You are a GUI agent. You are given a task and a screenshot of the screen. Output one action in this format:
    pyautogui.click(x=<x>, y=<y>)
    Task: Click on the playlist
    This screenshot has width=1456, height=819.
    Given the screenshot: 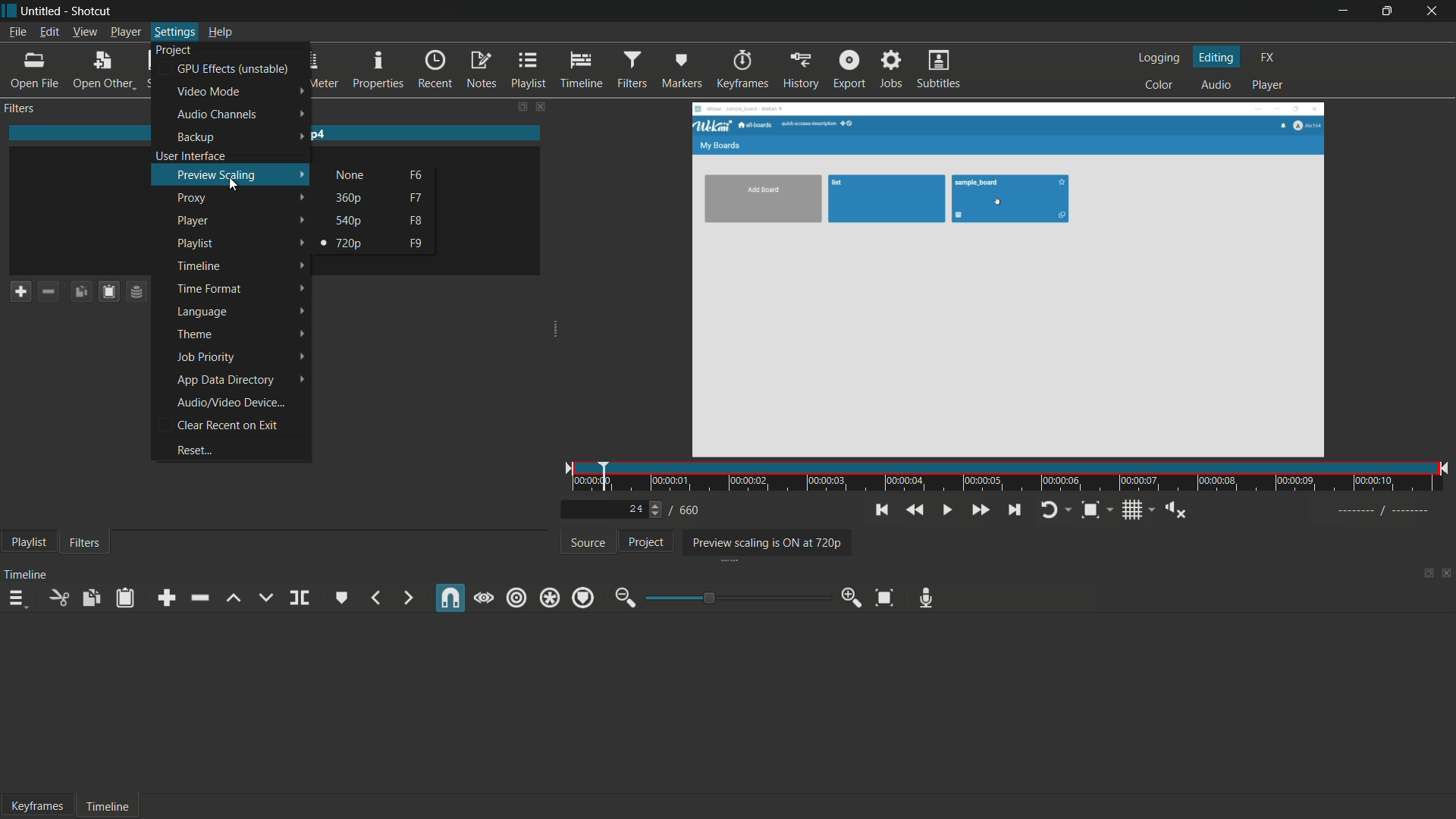 What is the action you would take?
    pyautogui.click(x=196, y=243)
    